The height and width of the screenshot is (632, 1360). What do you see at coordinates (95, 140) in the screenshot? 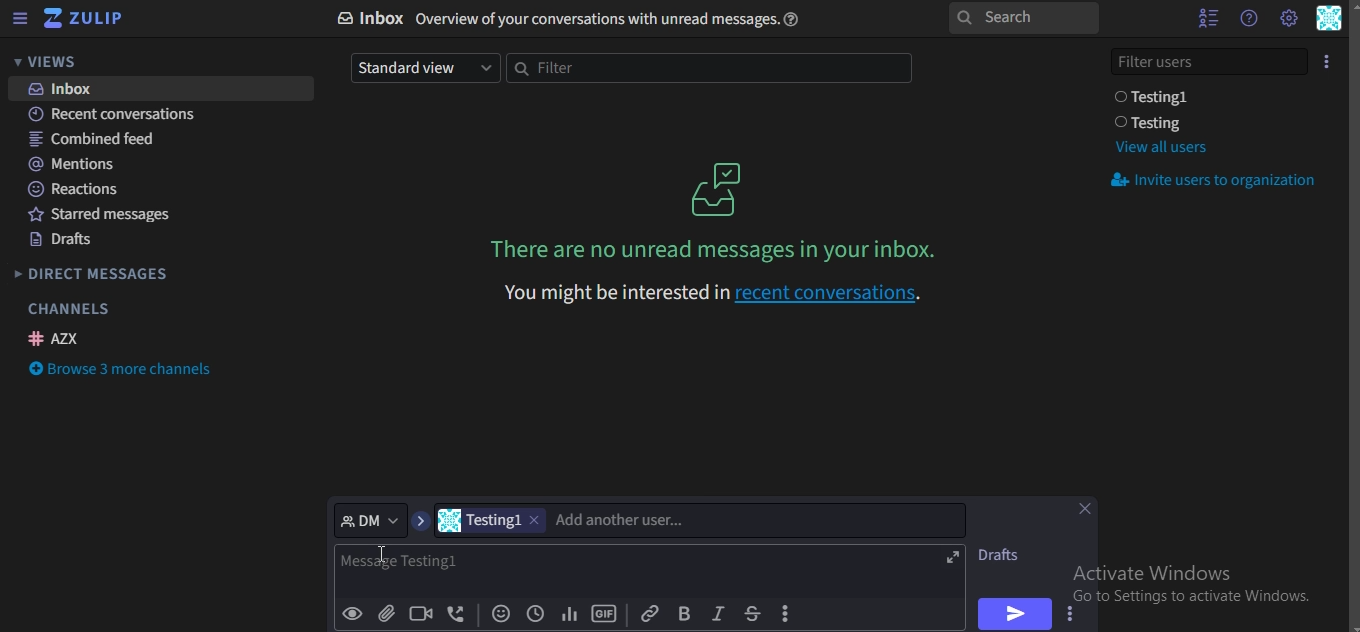
I see `combined feed` at bounding box center [95, 140].